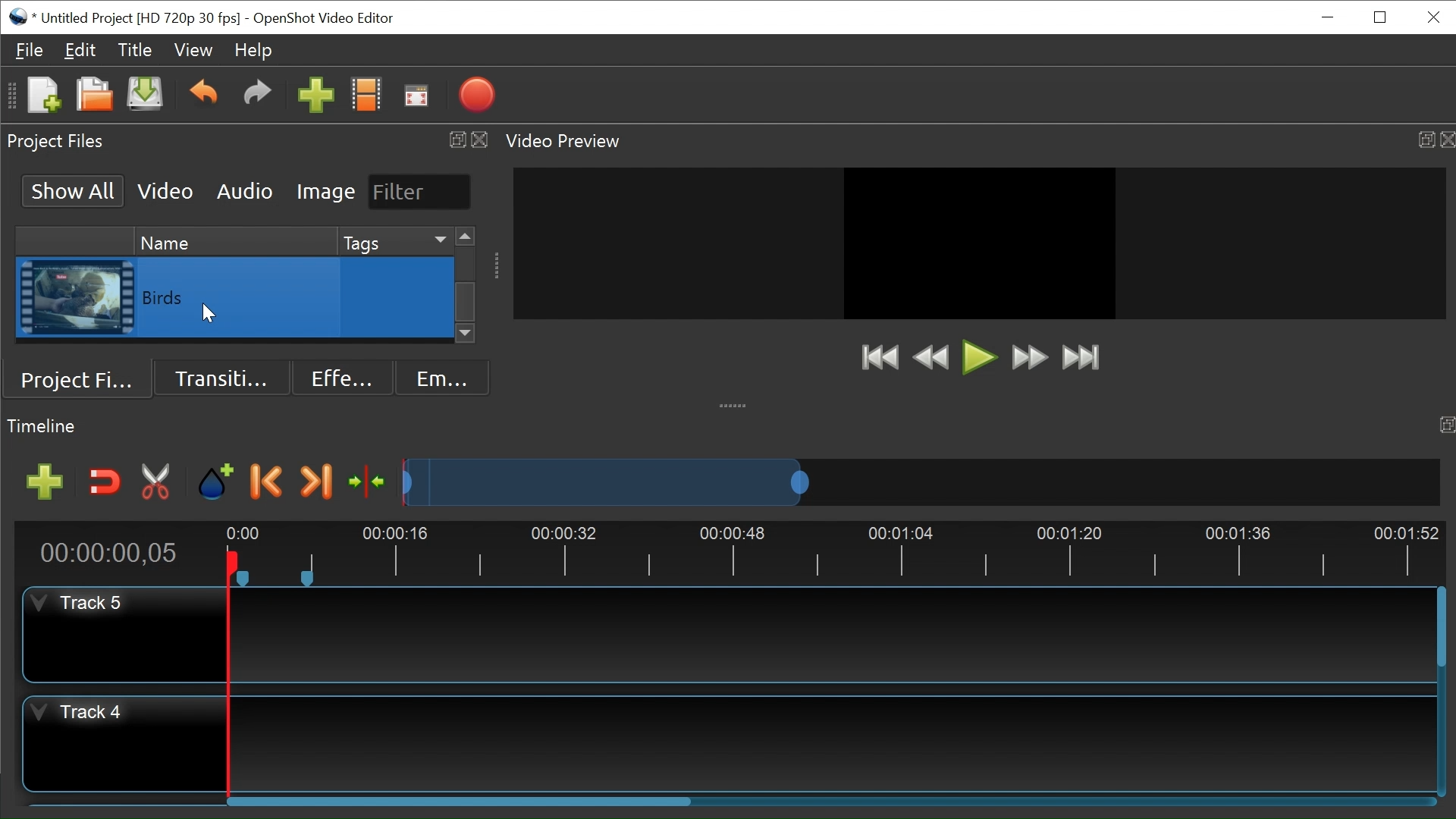  I want to click on Jump to Start, so click(879, 359).